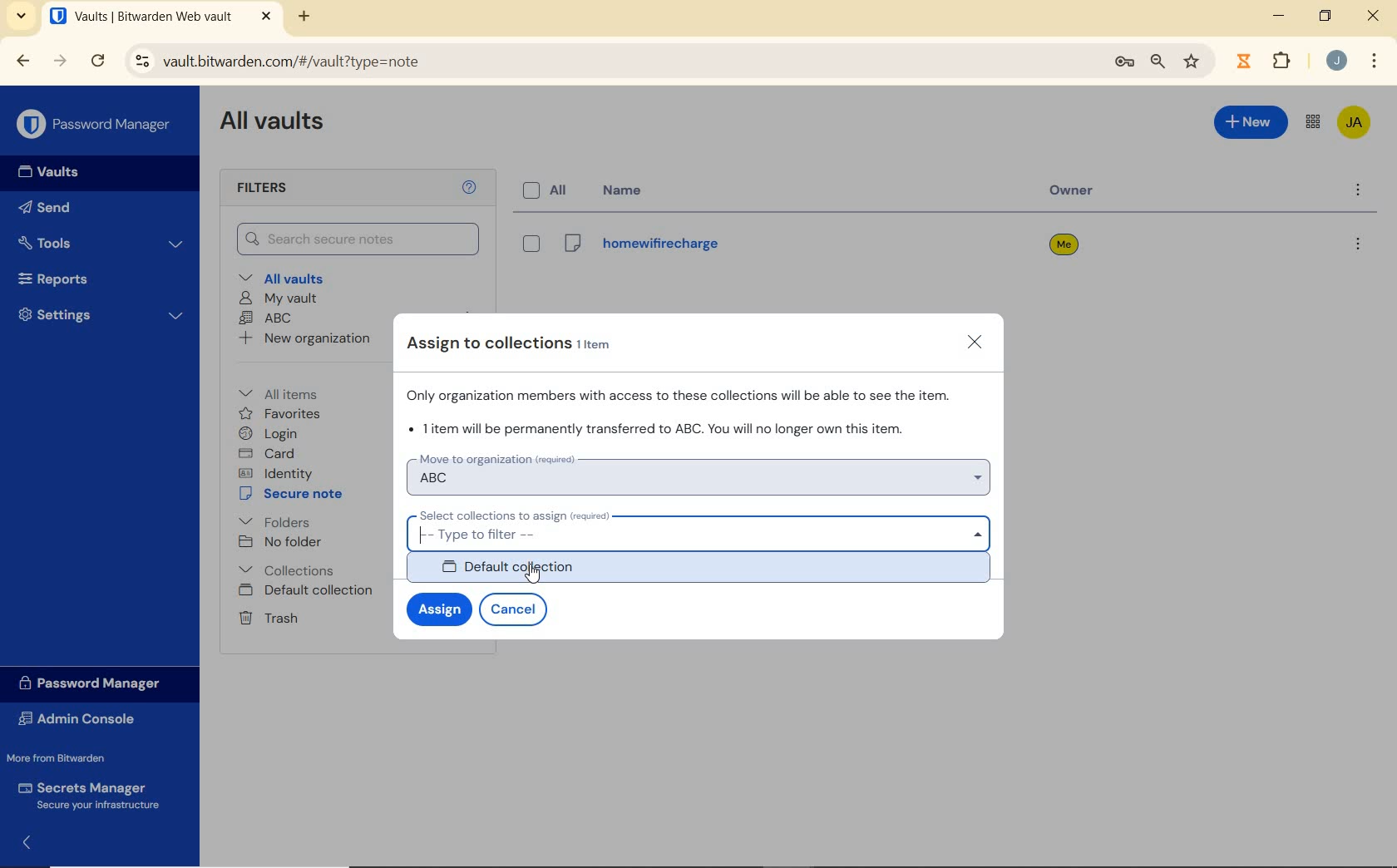 The width and height of the screenshot is (1397, 868). I want to click on name, so click(628, 190).